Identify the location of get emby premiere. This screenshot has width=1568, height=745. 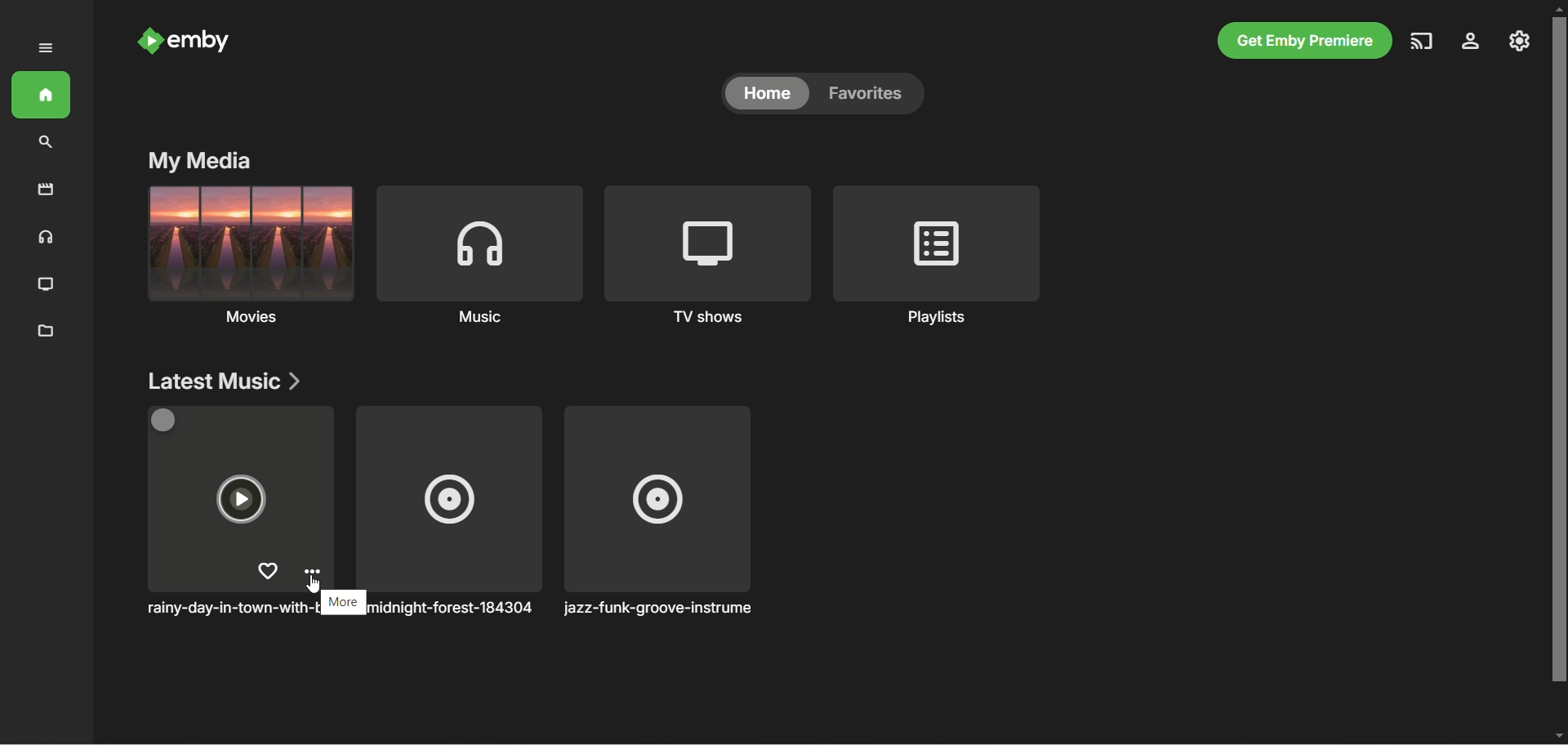
(1305, 40).